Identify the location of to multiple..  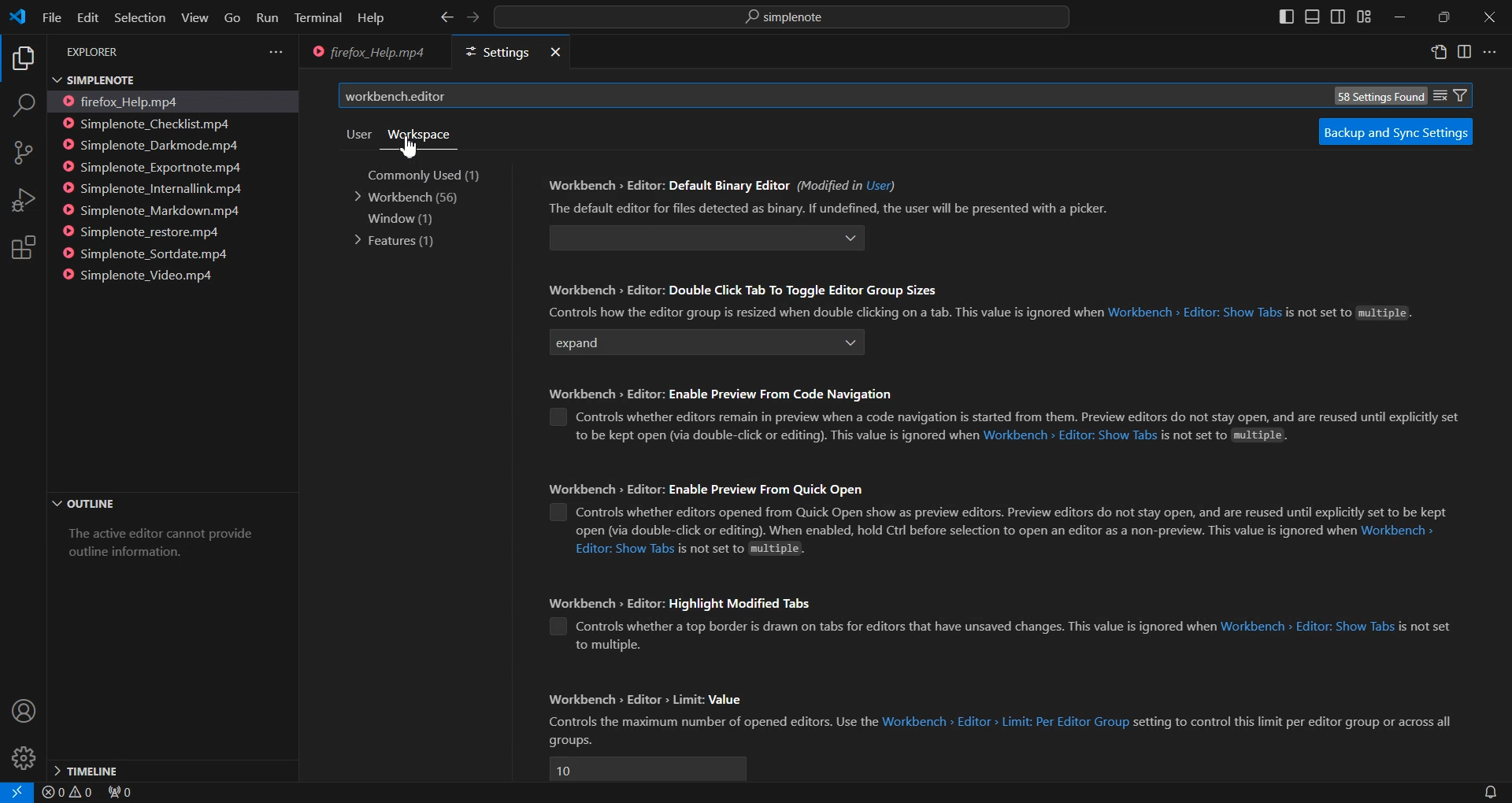
(608, 646).